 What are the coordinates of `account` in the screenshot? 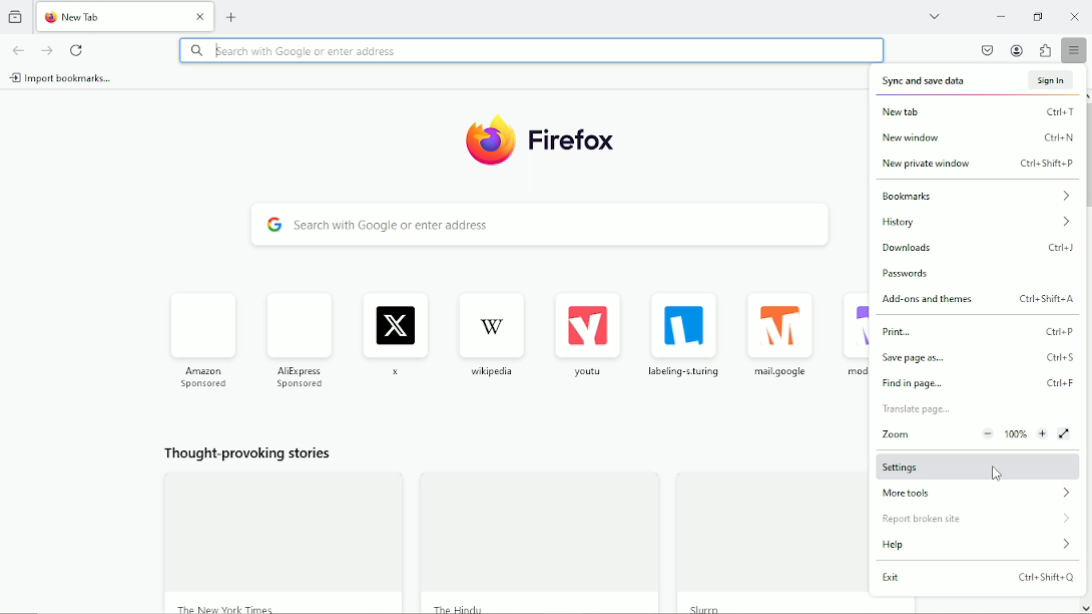 It's located at (1017, 51).